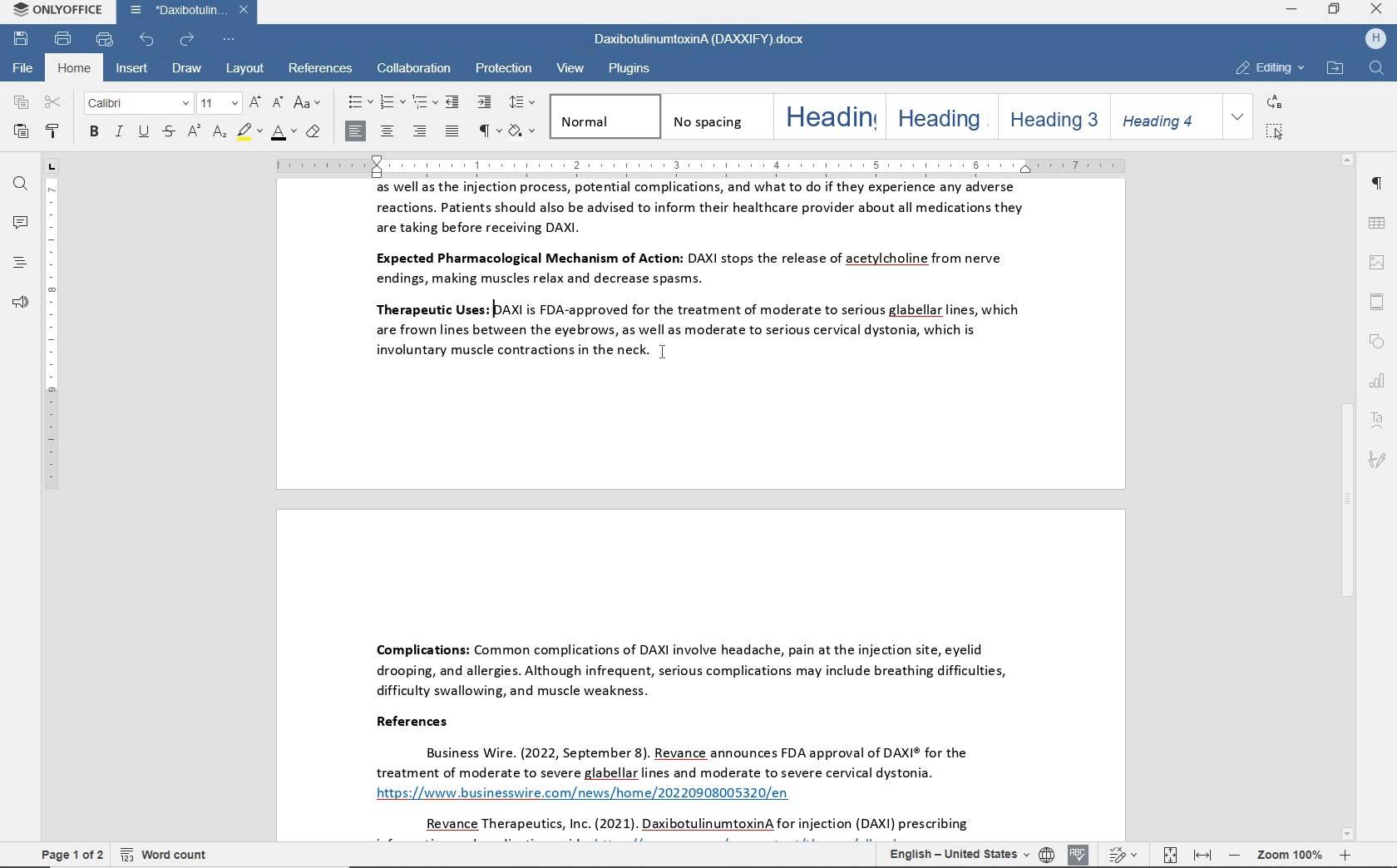  Describe the element at coordinates (827, 116) in the screenshot. I see `heading 1` at that location.